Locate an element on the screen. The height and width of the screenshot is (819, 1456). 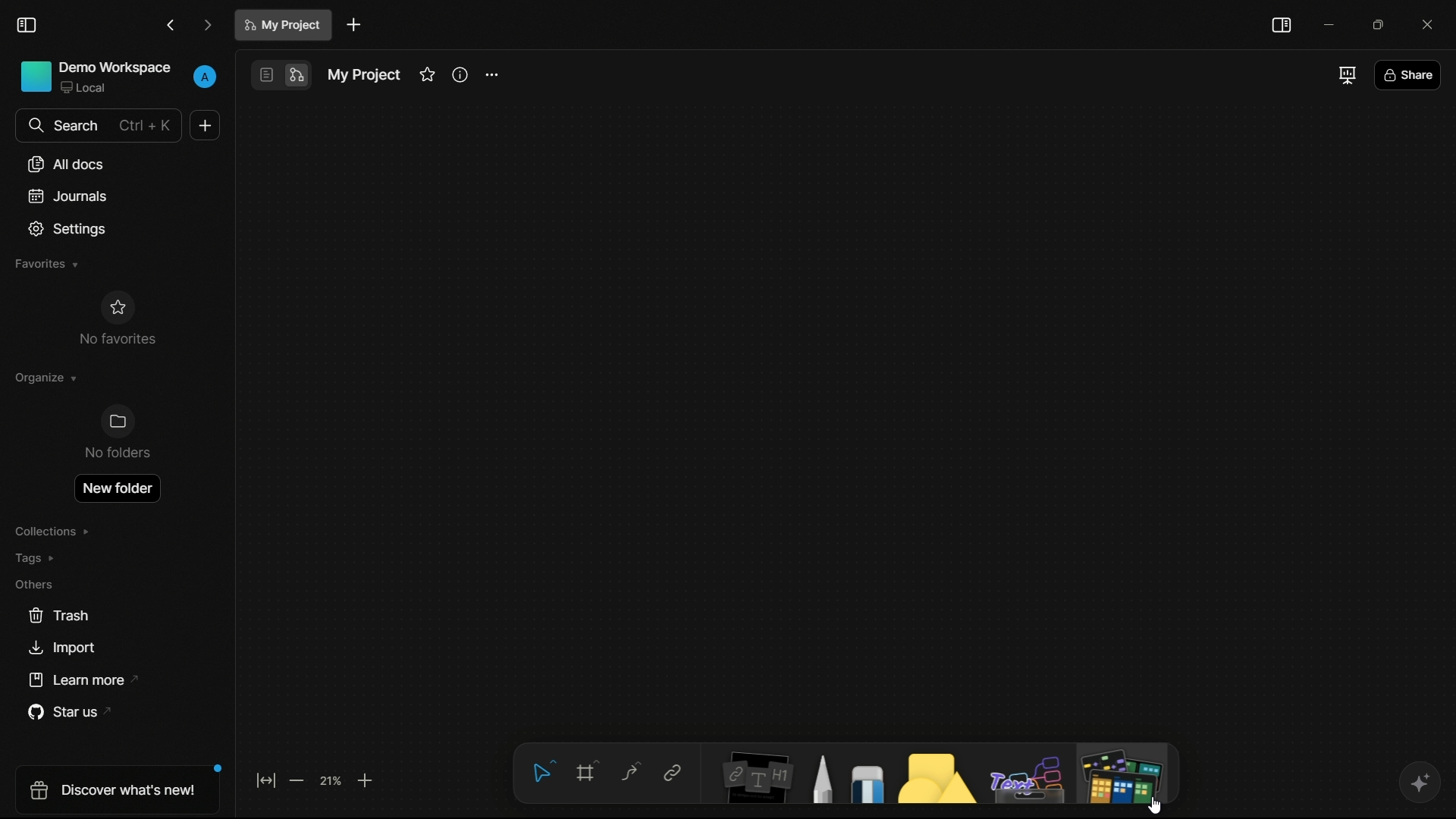
no favorites is located at coordinates (117, 317).